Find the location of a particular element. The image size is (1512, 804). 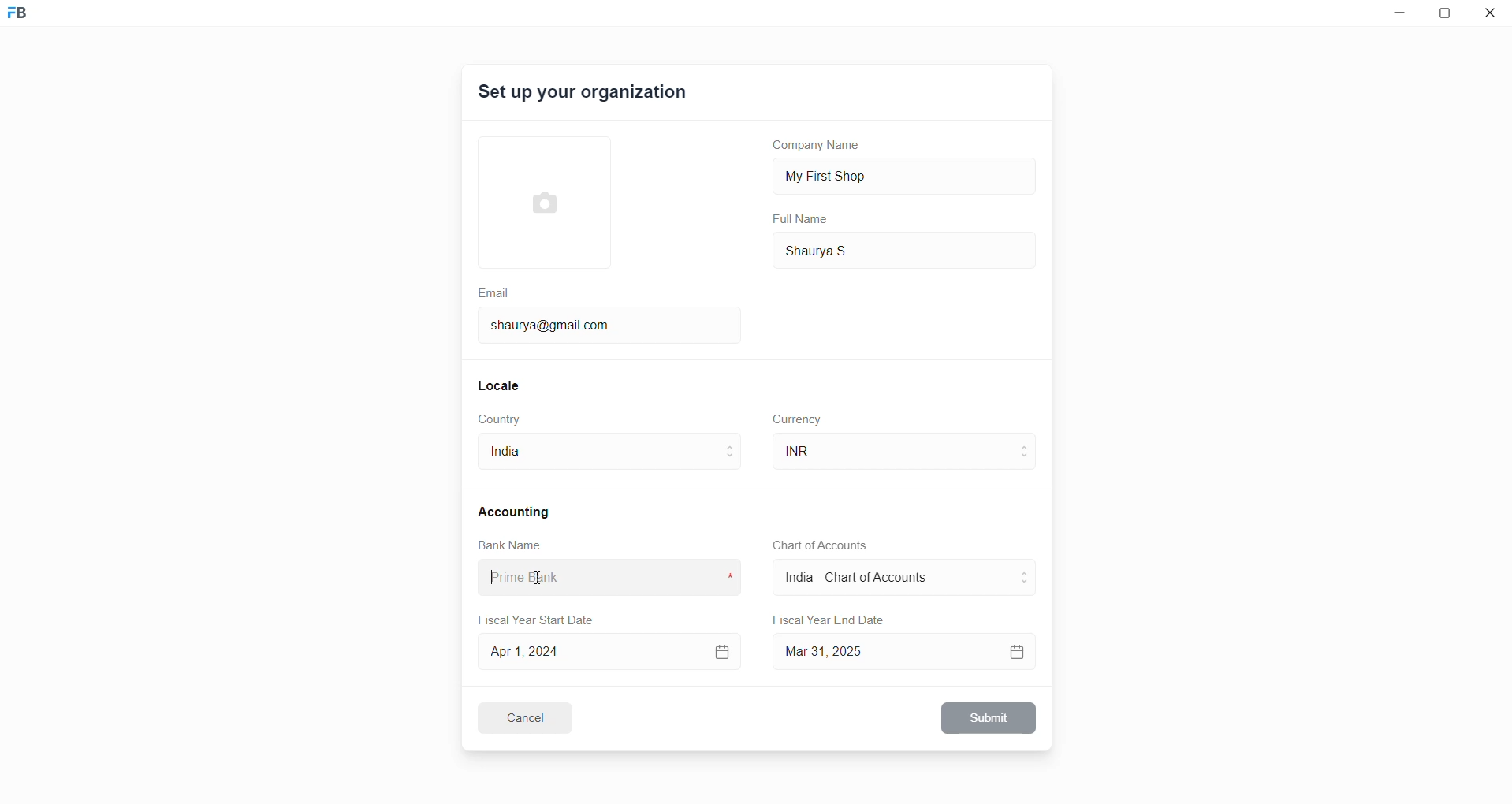

Company Name is located at coordinates (822, 147).